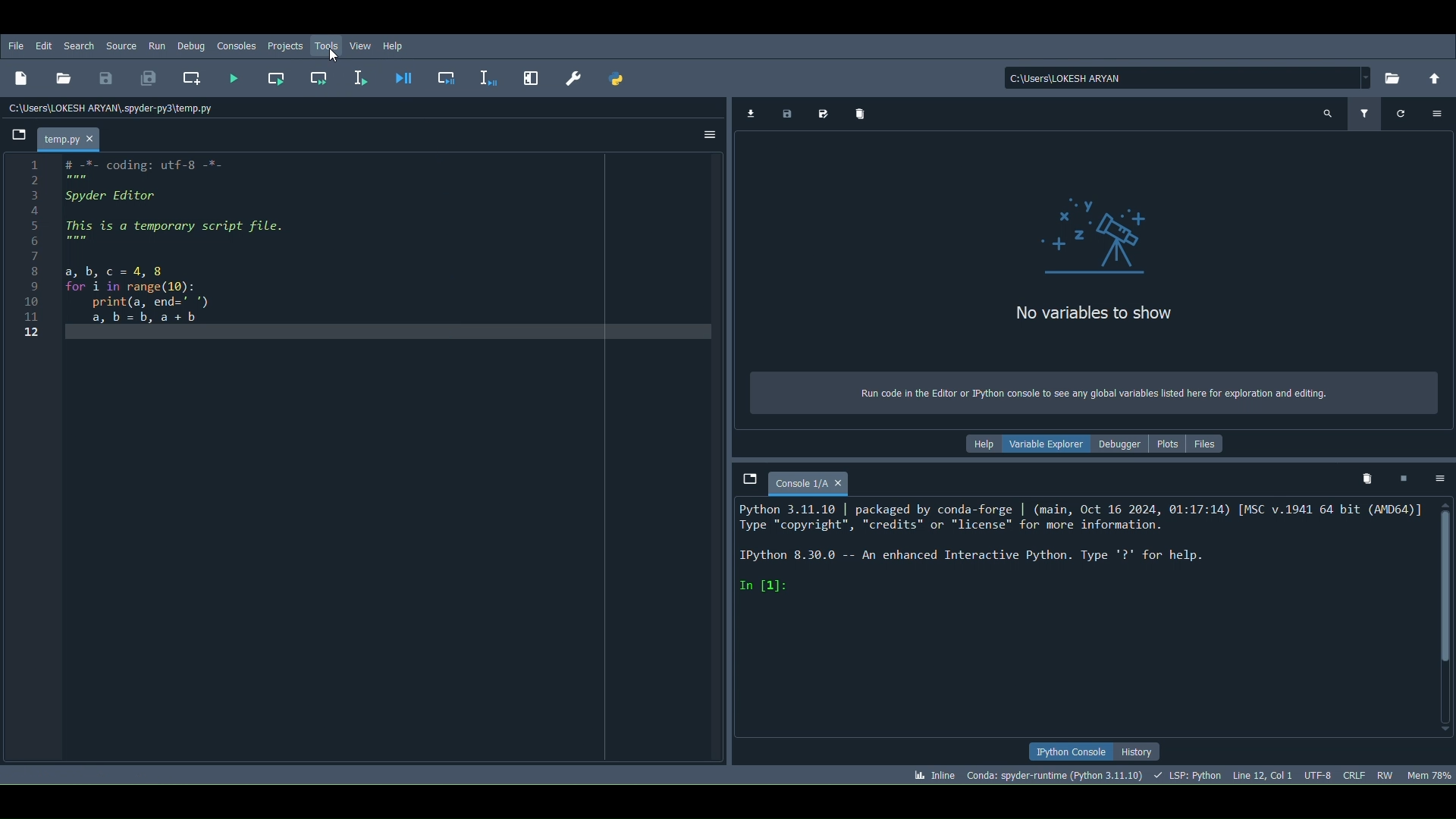 The image size is (1456, 819). I want to click on Save data as, so click(820, 111).